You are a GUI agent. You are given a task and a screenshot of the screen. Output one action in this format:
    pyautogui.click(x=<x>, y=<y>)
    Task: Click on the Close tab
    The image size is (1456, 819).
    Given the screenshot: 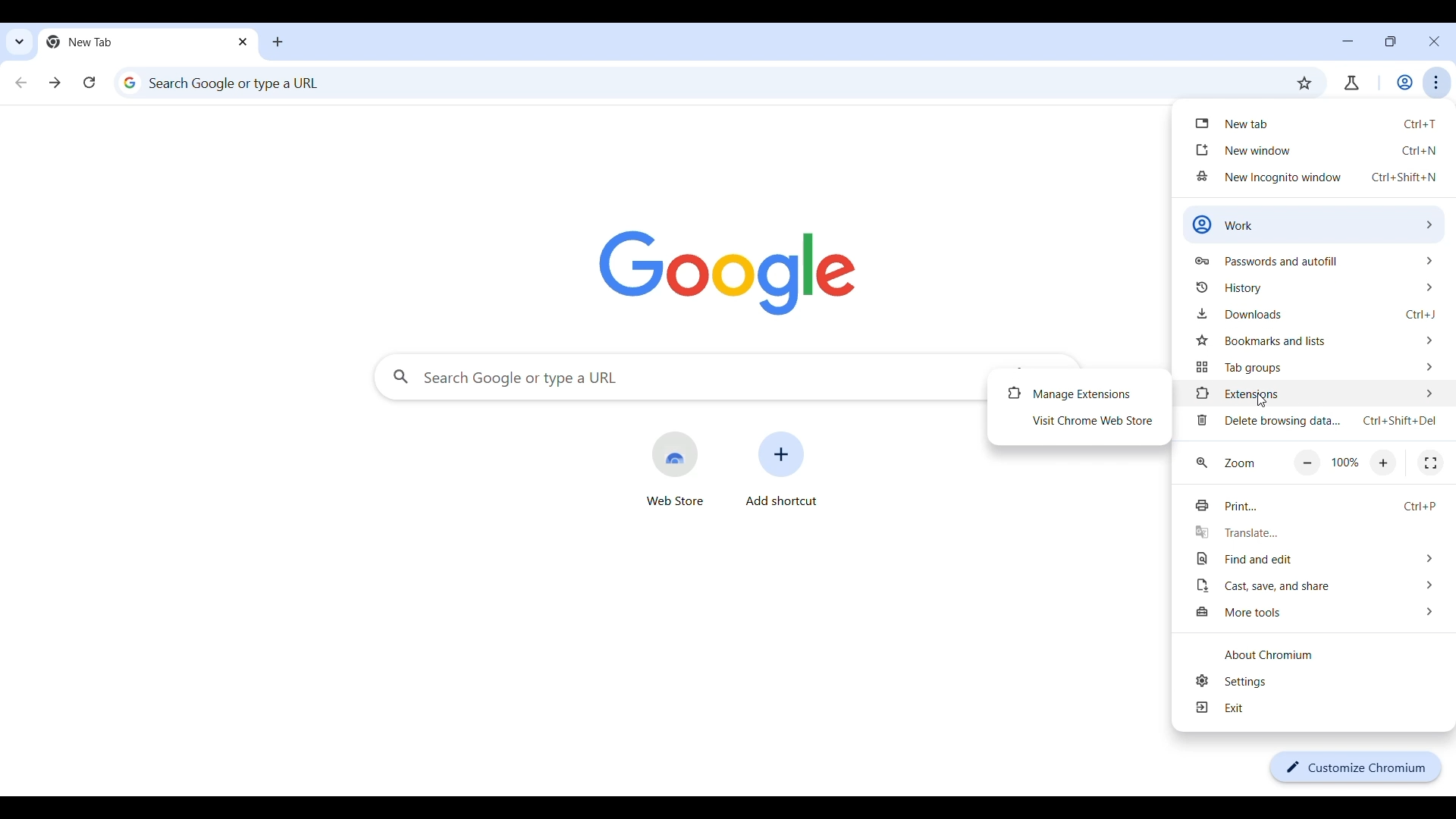 What is the action you would take?
    pyautogui.click(x=244, y=42)
    